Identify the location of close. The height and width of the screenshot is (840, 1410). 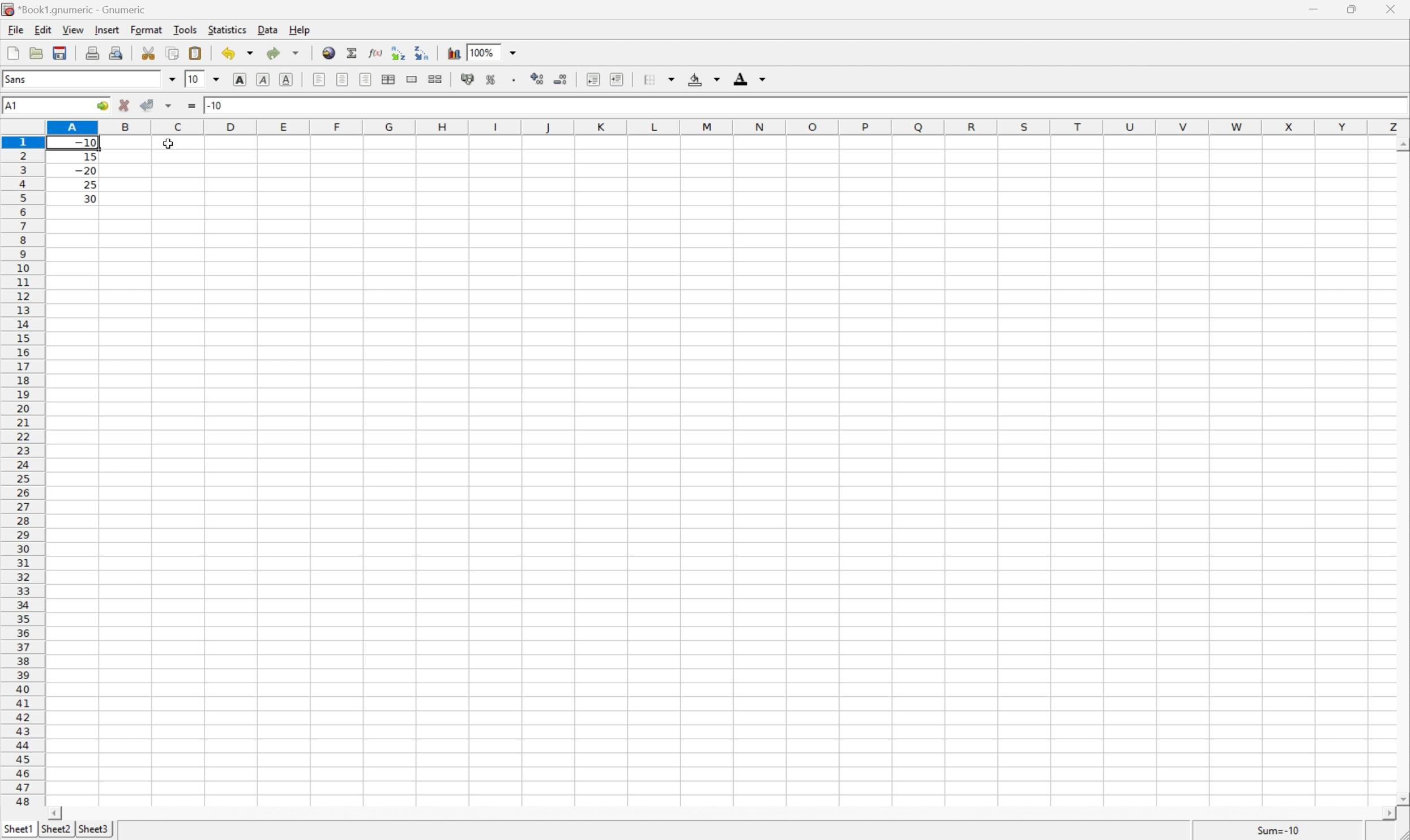
(1389, 11).